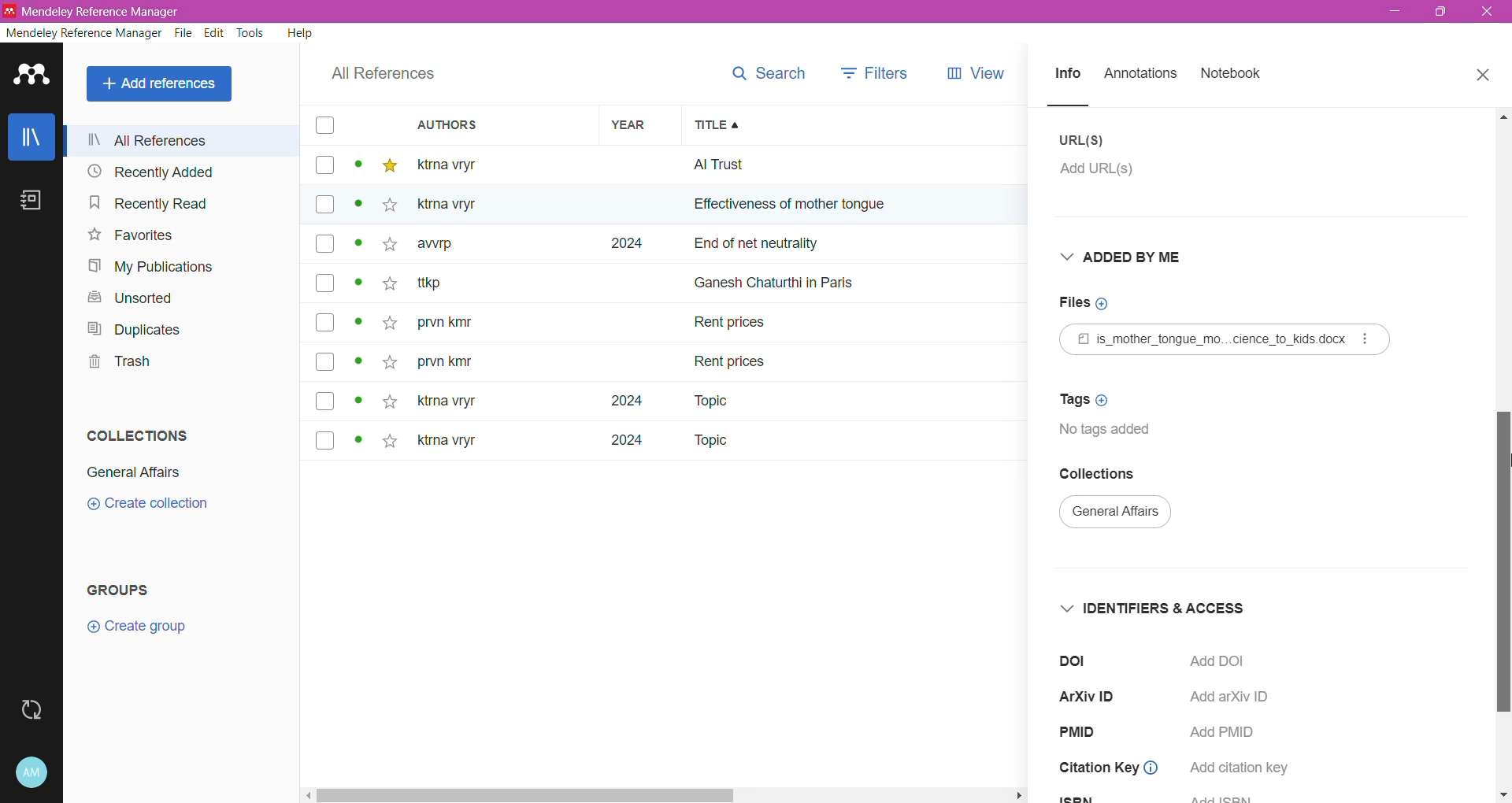 This screenshot has height=803, width=1512. Describe the element at coordinates (766, 73) in the screenshot. I see `search` at that location.